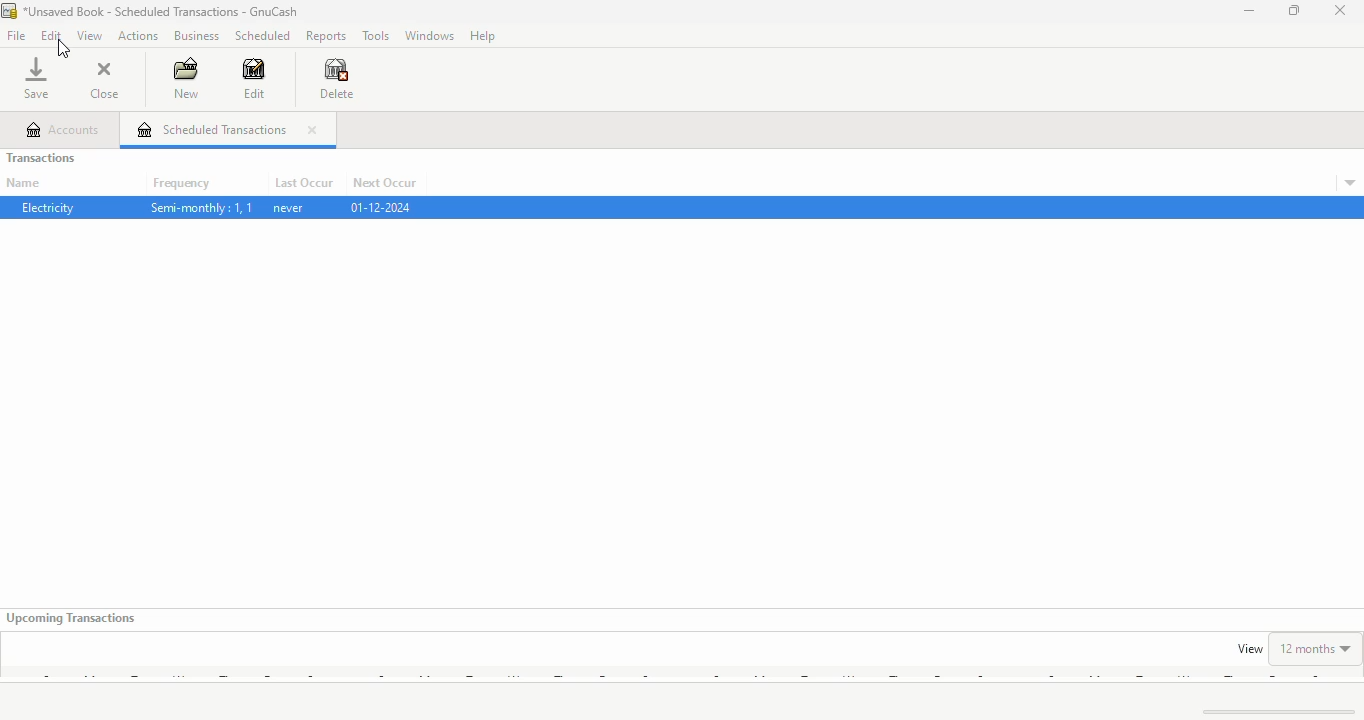  I want to click on maximize, so click(1293, 10).